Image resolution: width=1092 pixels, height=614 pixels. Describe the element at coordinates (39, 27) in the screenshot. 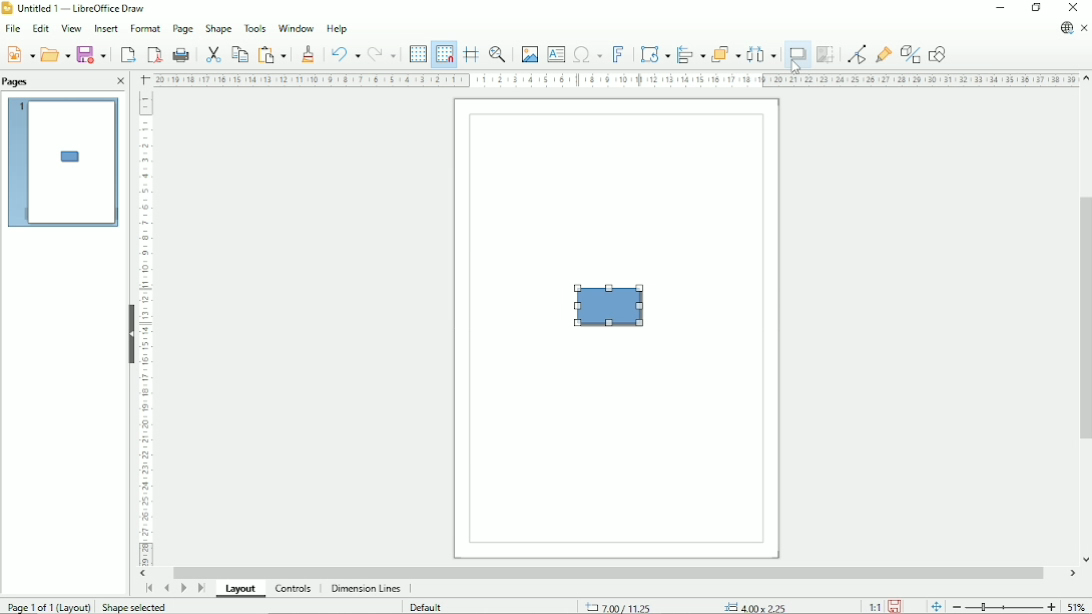

I see `Edit` at that location.